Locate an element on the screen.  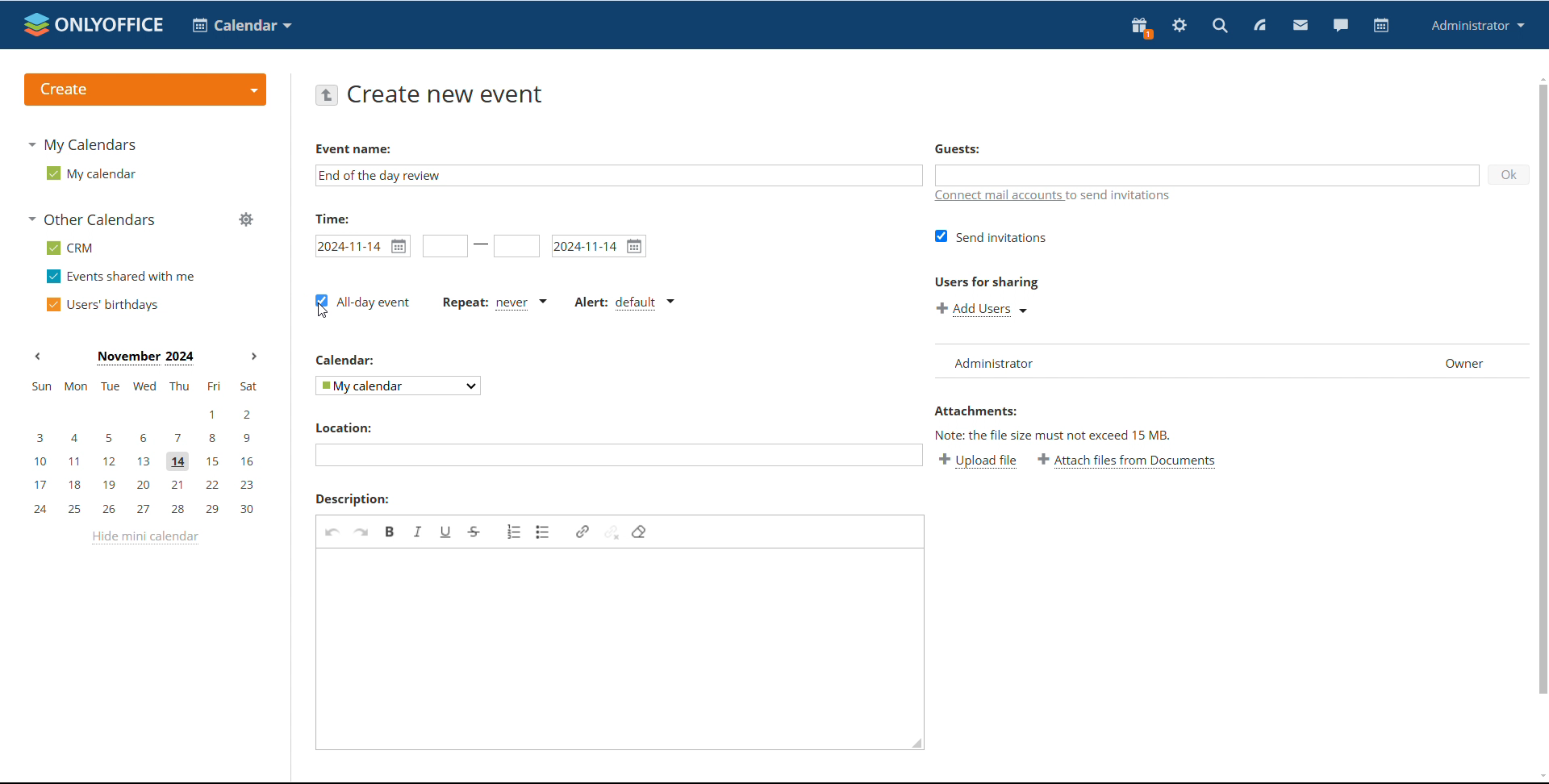
1, 2 is located at coordinates (142, 415).